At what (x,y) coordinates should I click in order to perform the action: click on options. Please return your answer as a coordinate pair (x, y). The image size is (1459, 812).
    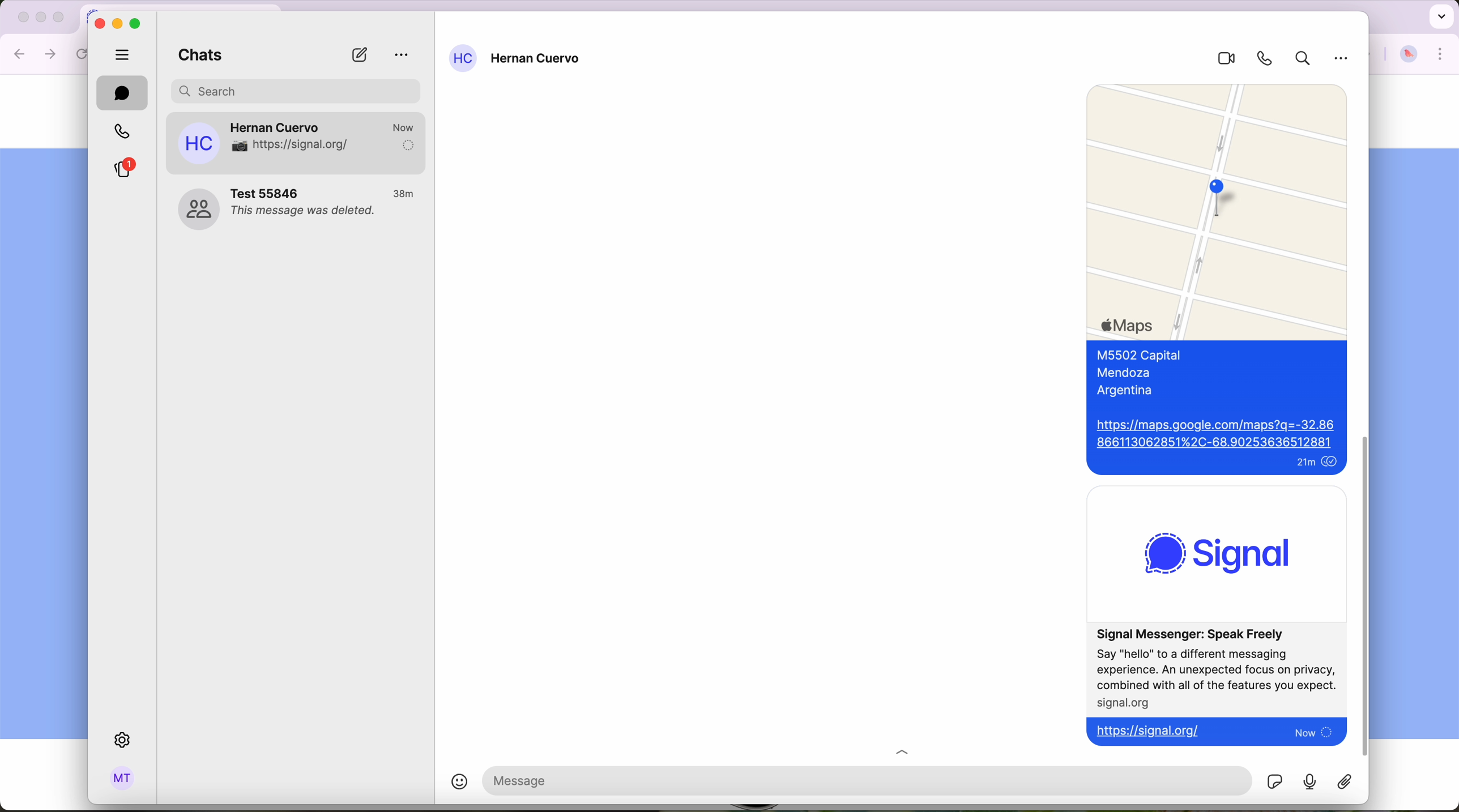
    Looking at the image, I should click on (402, 55).